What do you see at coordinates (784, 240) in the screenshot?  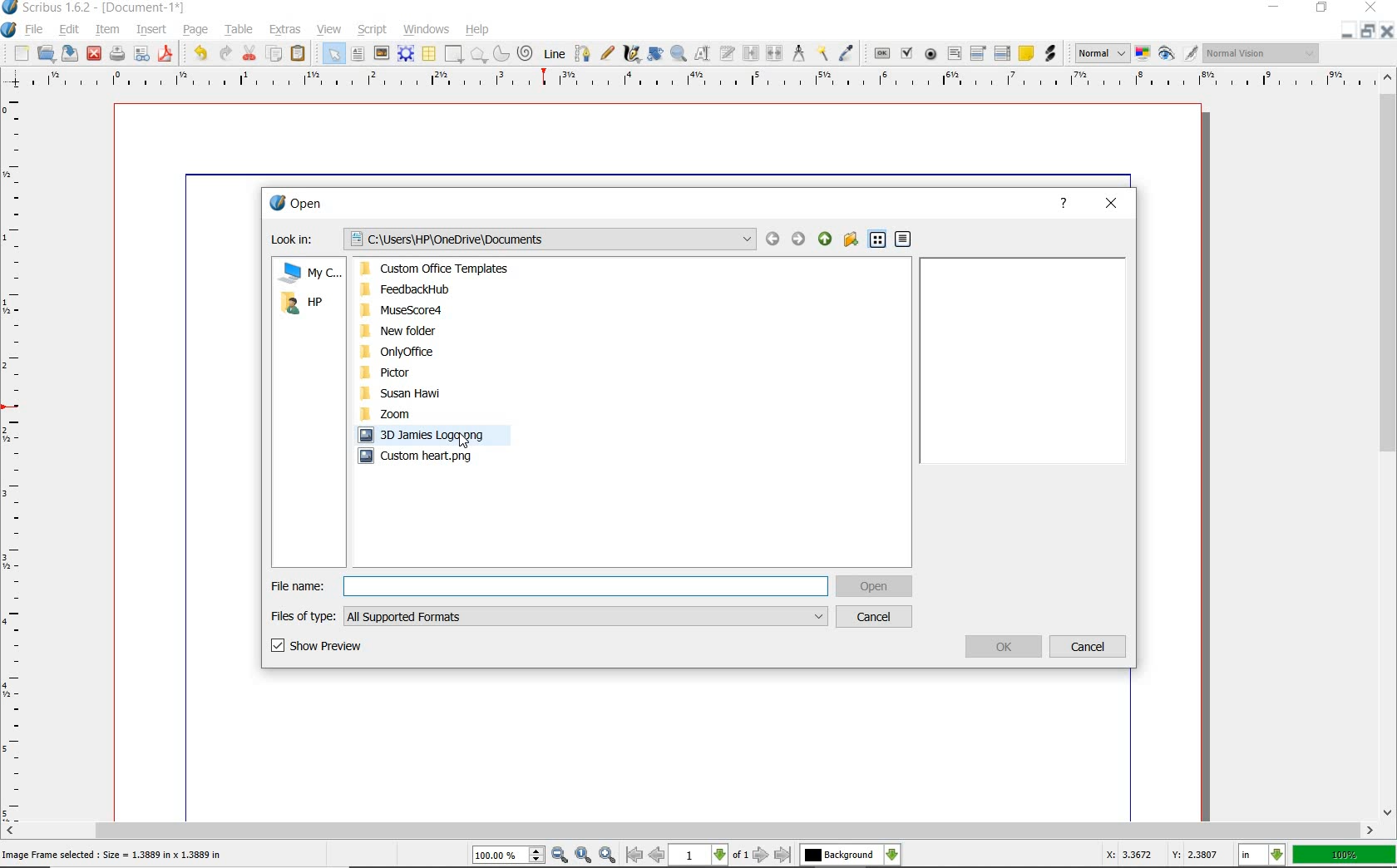 I see `back/forward` at bounding box center [784, 240].